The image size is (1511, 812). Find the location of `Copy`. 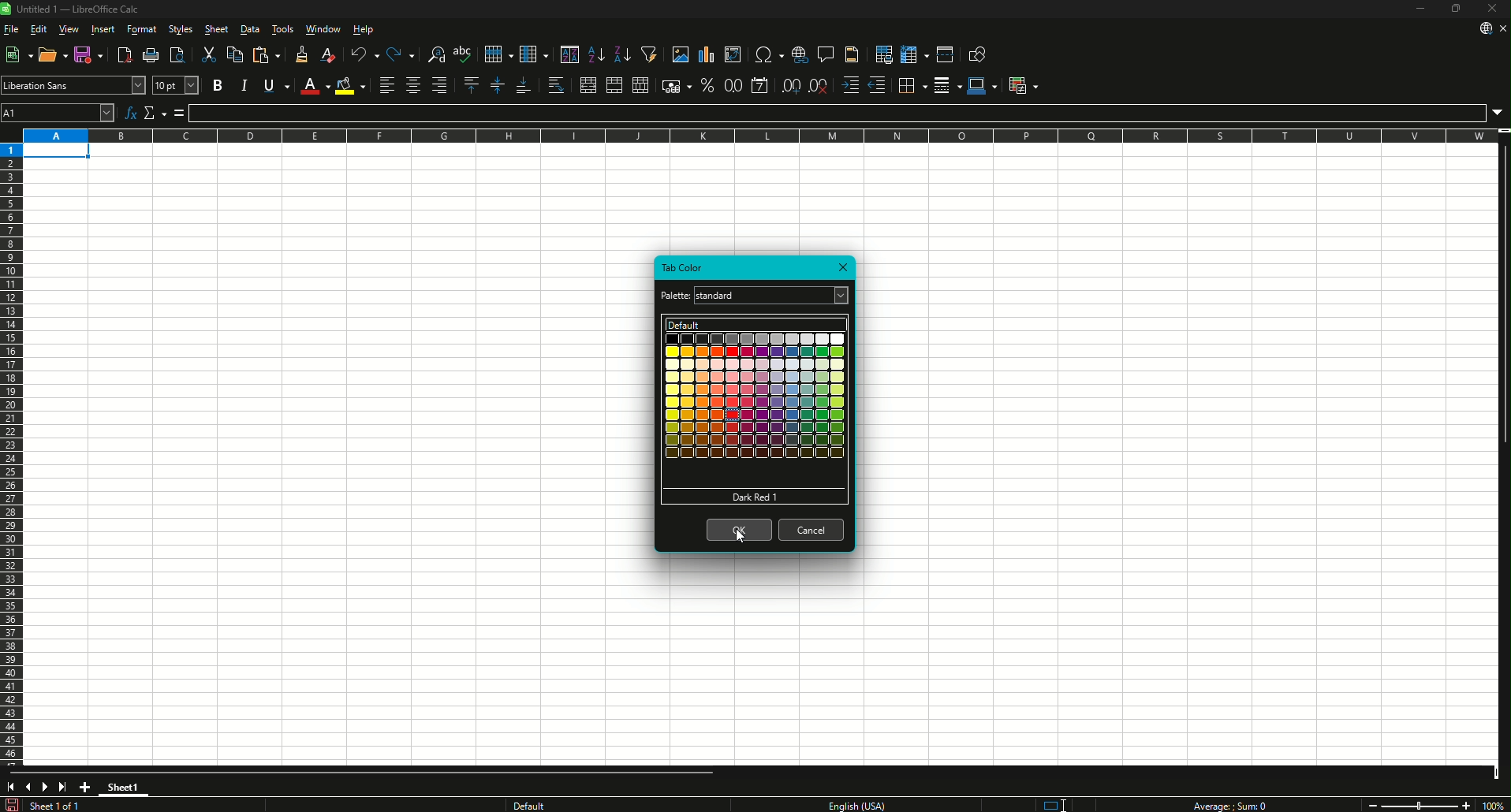

Copy is located at coordinates (234, 54).